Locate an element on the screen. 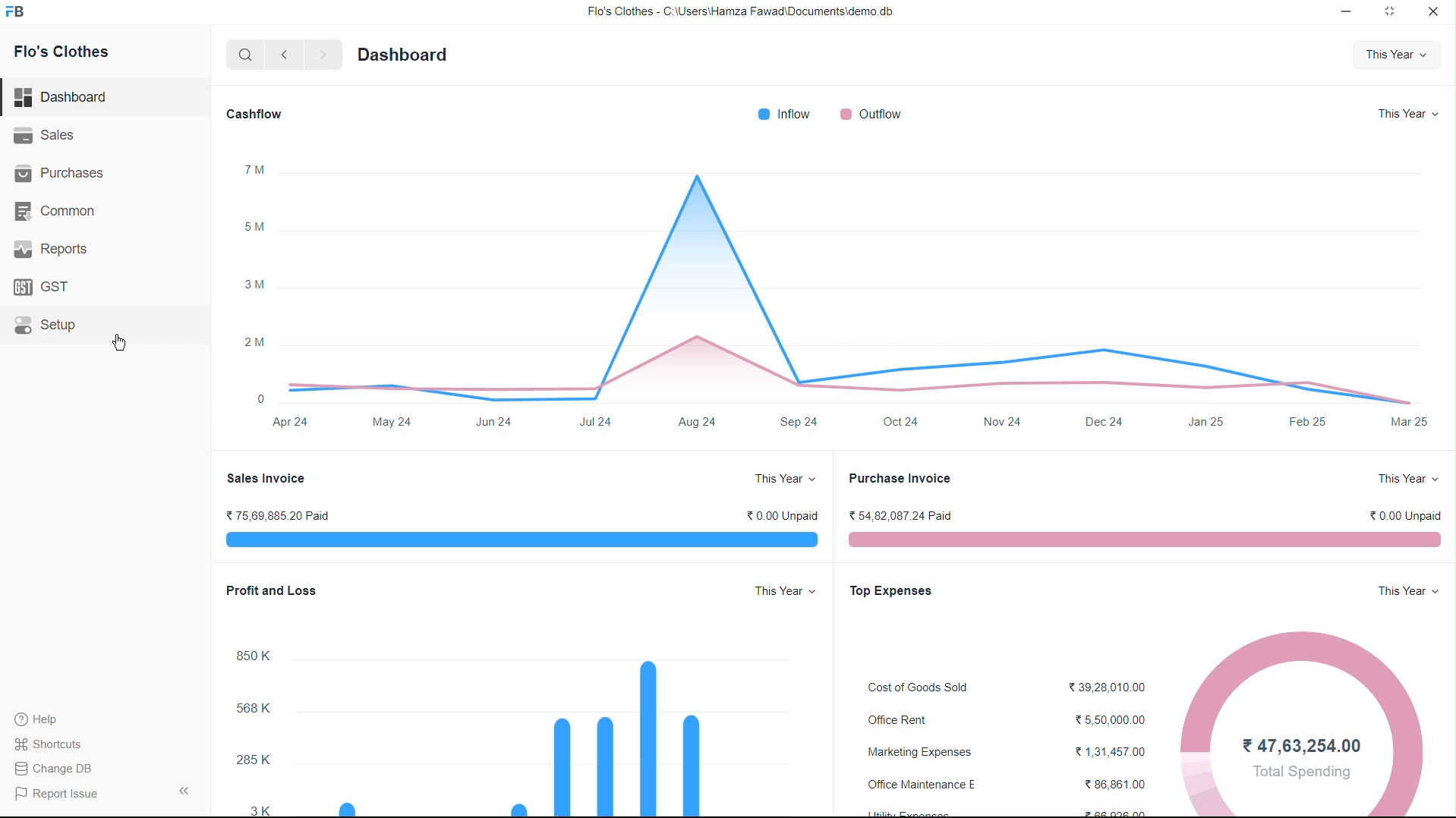 The width and height of the screenshot is (1456, 818). Sales is located at coordinates (48, 136).